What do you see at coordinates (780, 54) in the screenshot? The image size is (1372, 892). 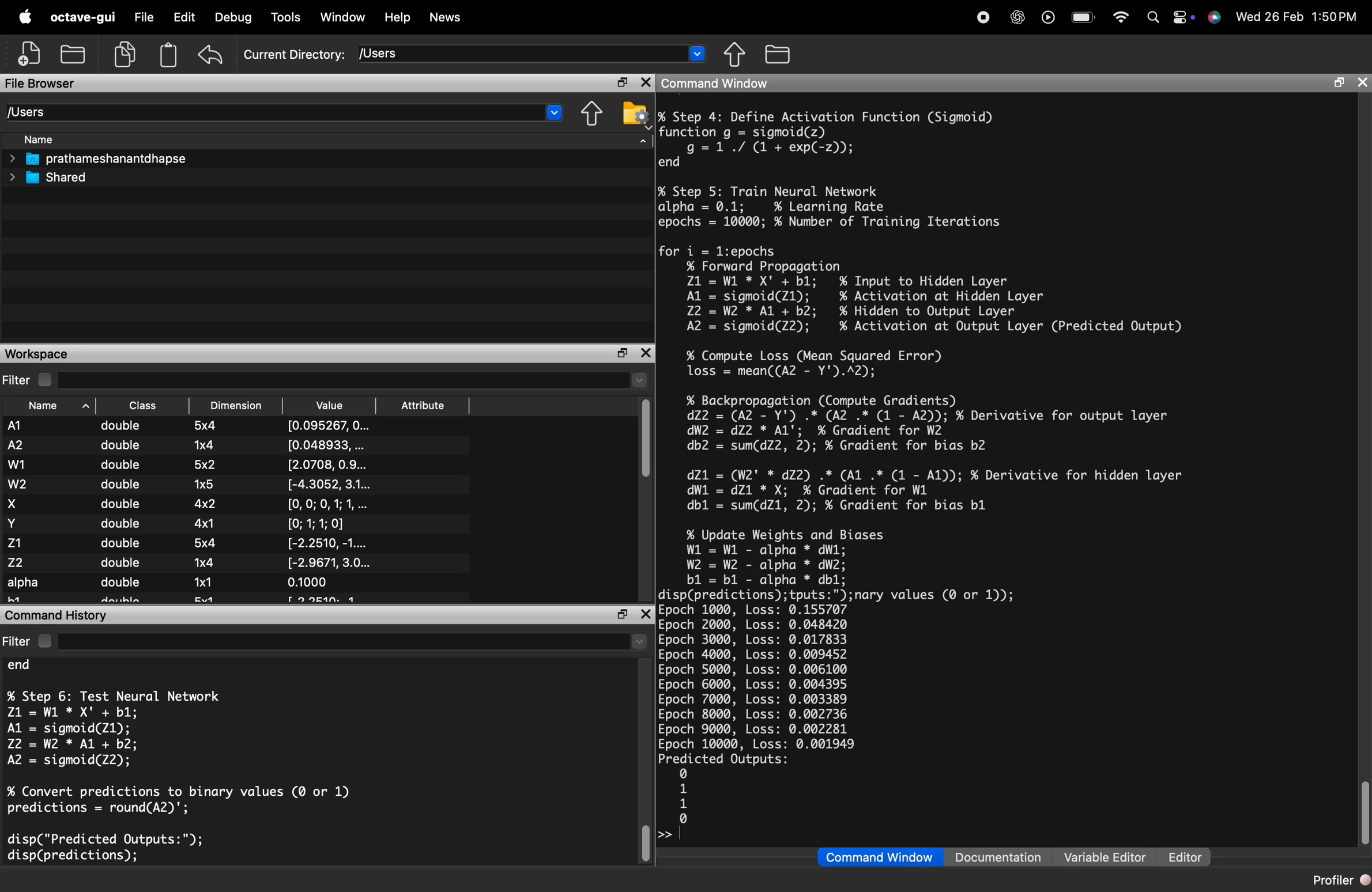 I see `Browse directories` at bounding box center [780, 54].